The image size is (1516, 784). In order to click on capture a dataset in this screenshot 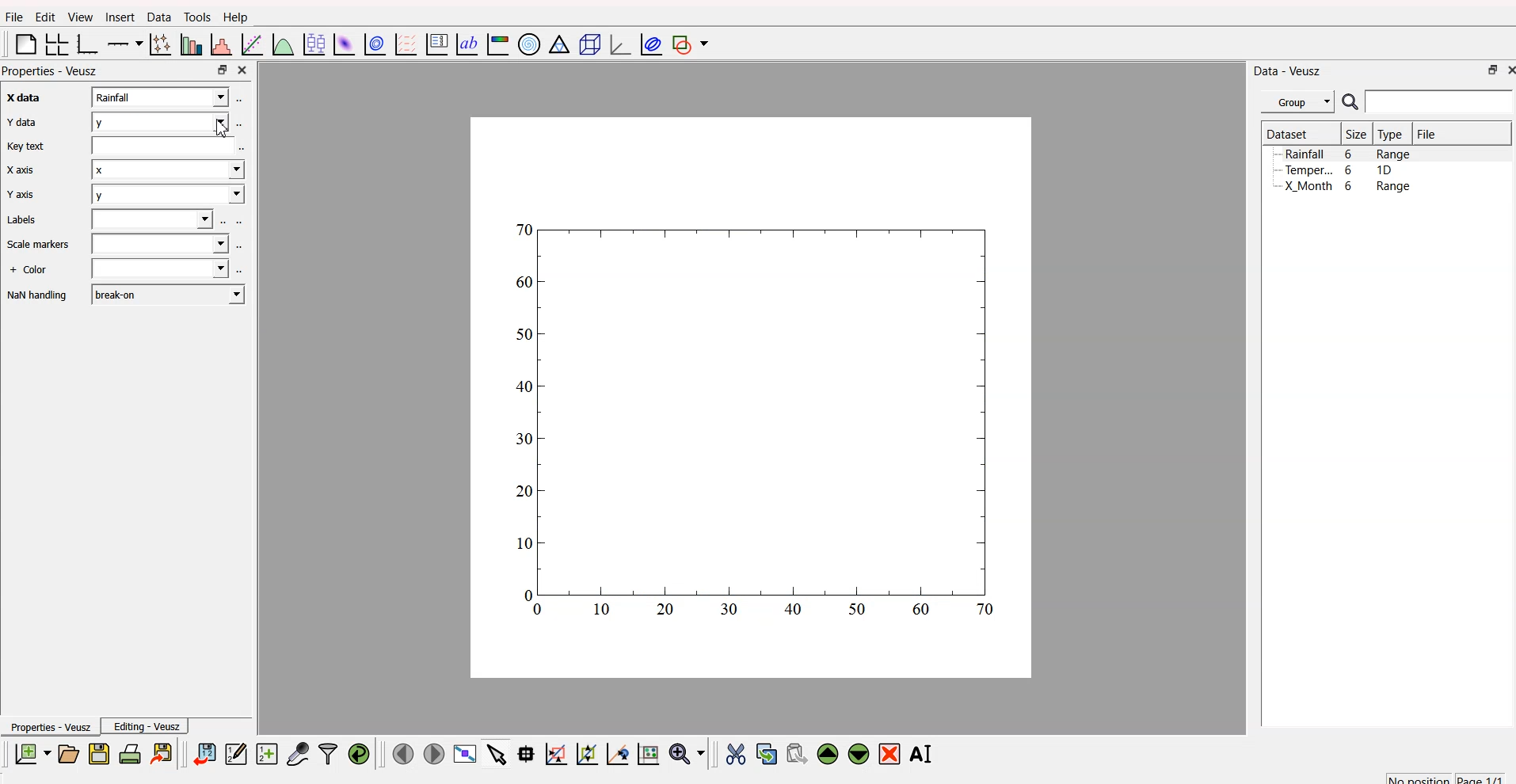, I will do `click(297, 751)`.